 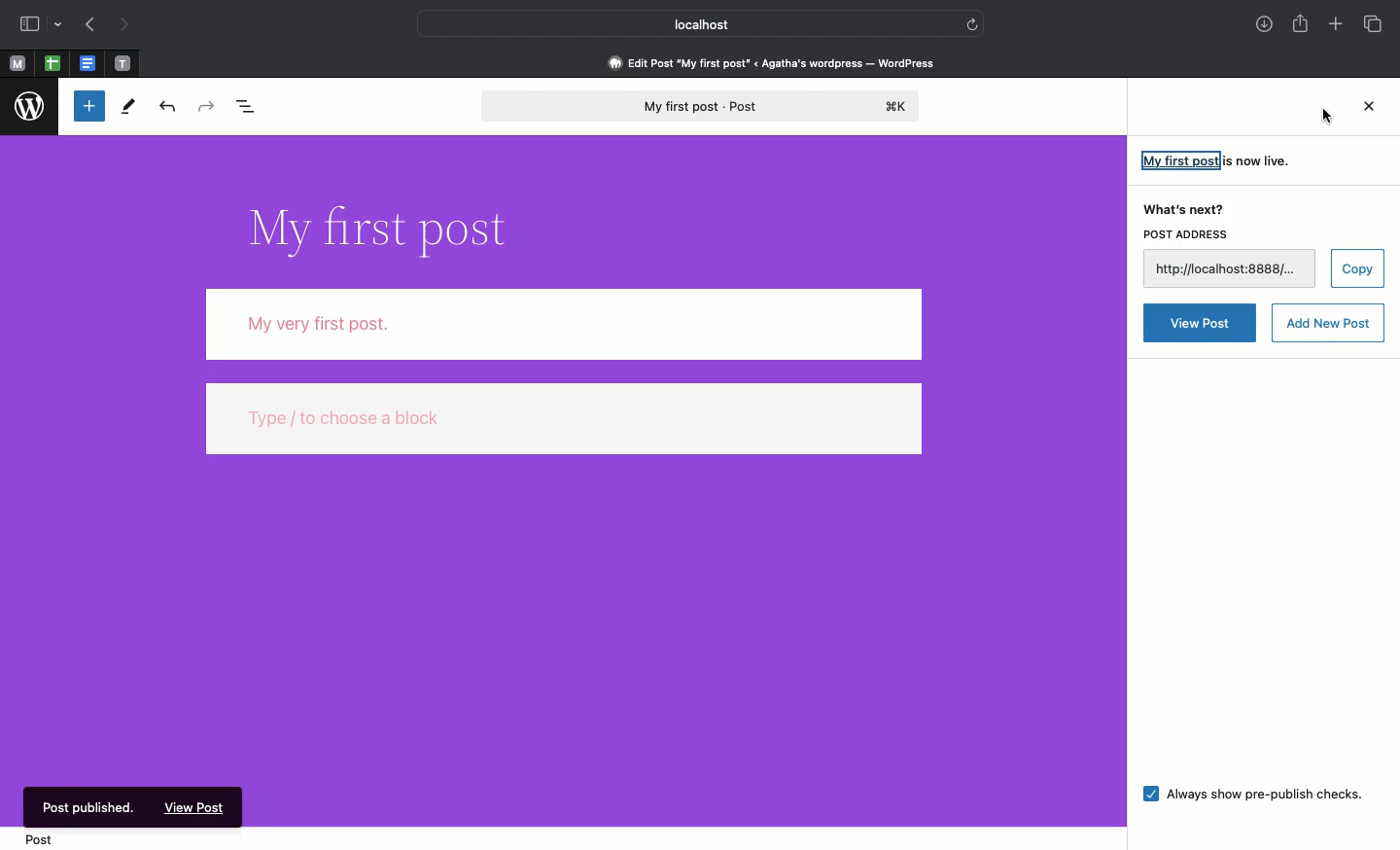 What do you see at coordinates (28, 23) in the screenshot?
I see `Sidebar` at bounding box center [28, 23].